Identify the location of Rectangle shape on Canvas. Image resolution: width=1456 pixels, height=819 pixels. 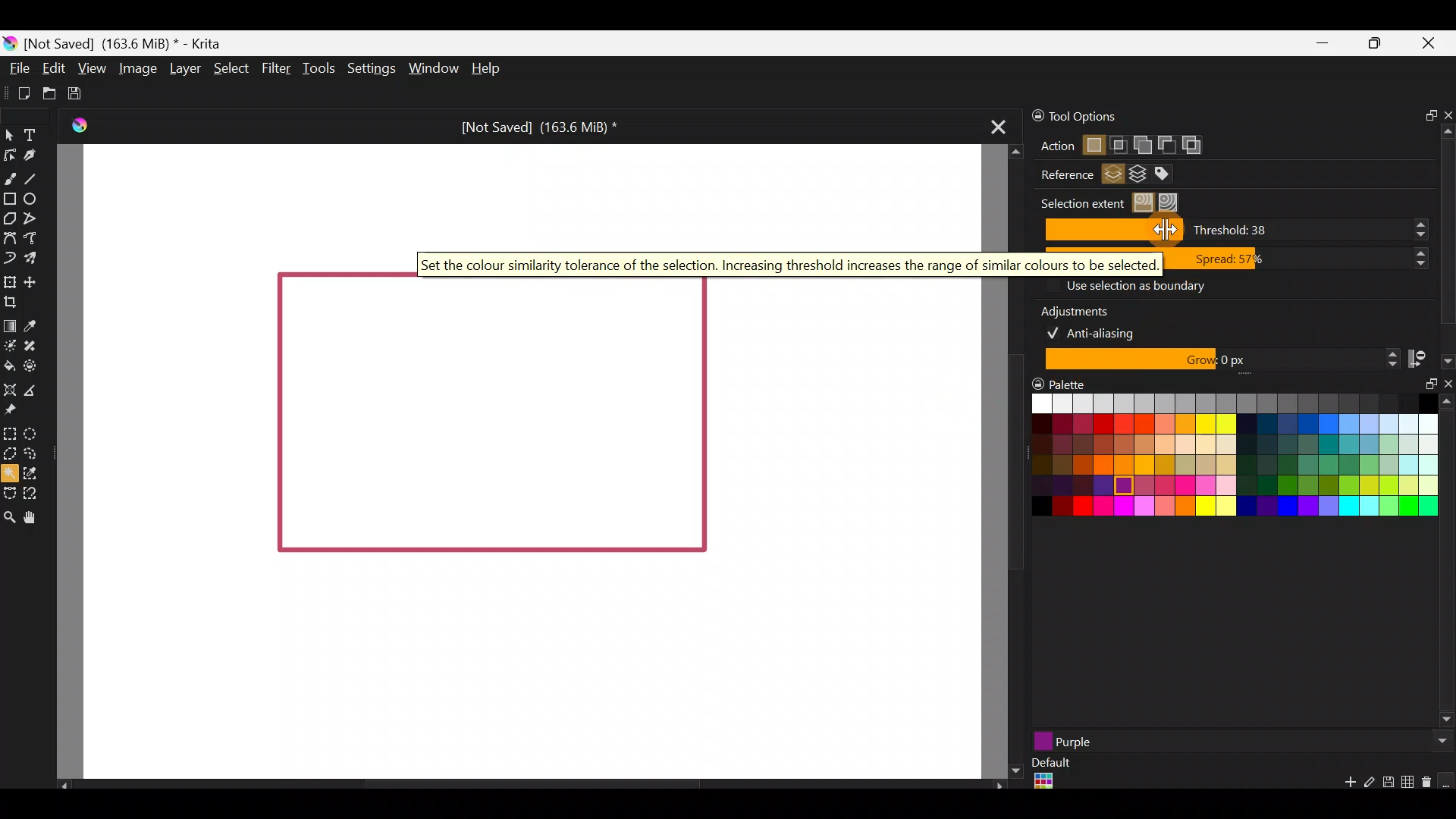
(491, 415).